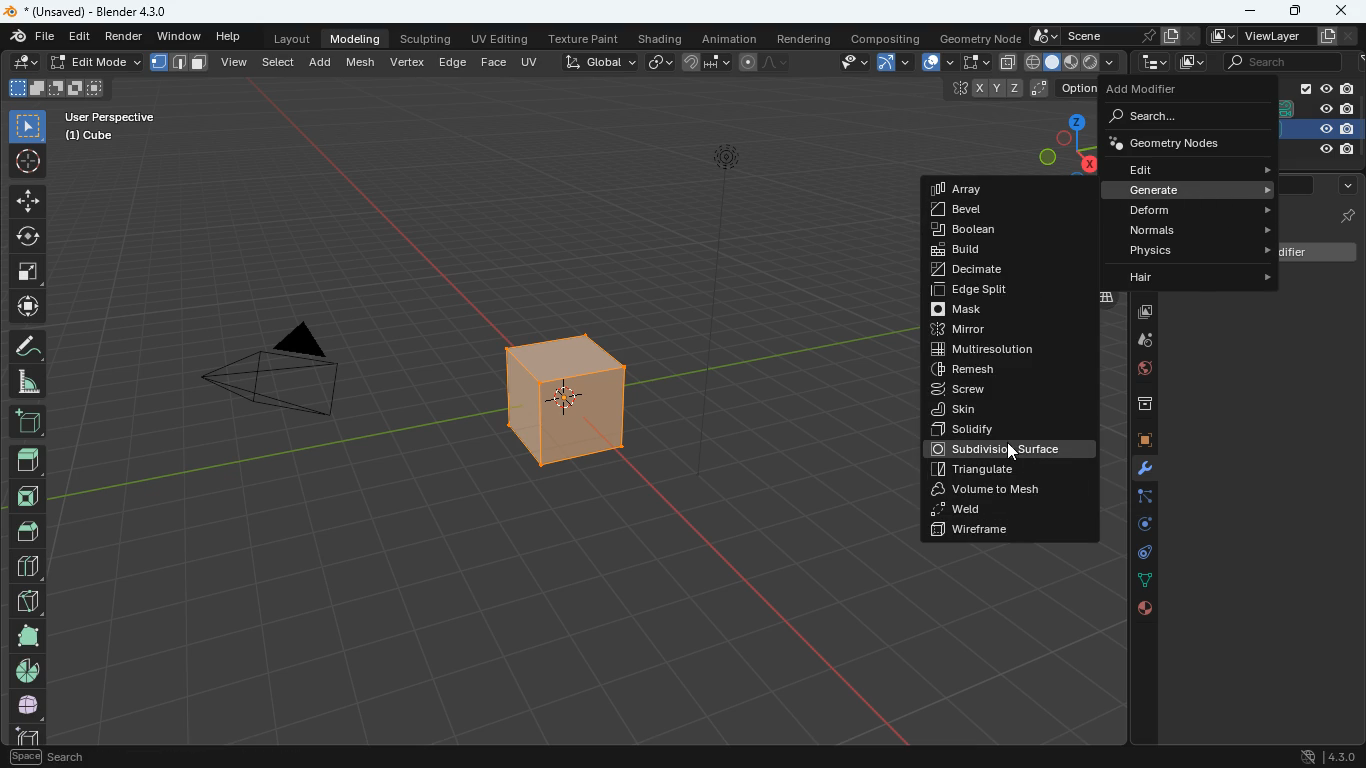 This screenshot has height=768, width=1366. Describe the element at coordinates (1140, 554) in the screenshot. I see `control` at that location.